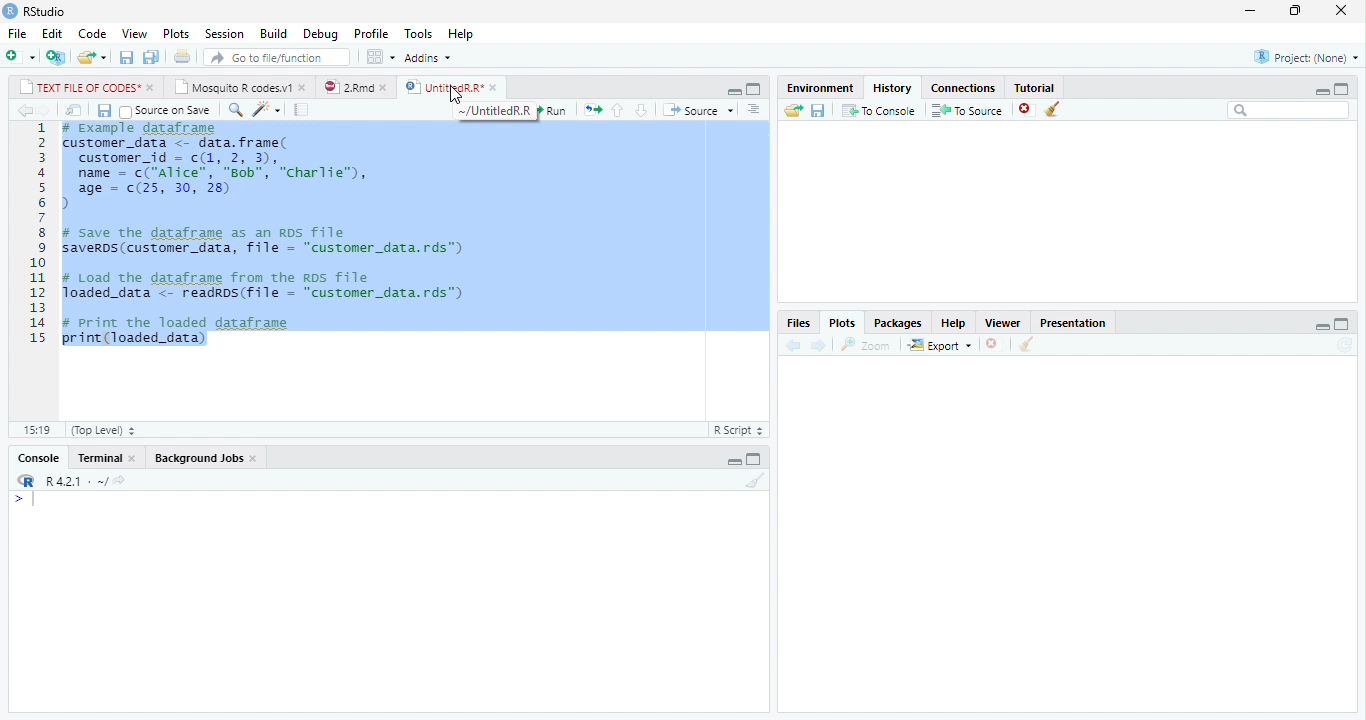  I want to click on Zoom, so click(866, 345).